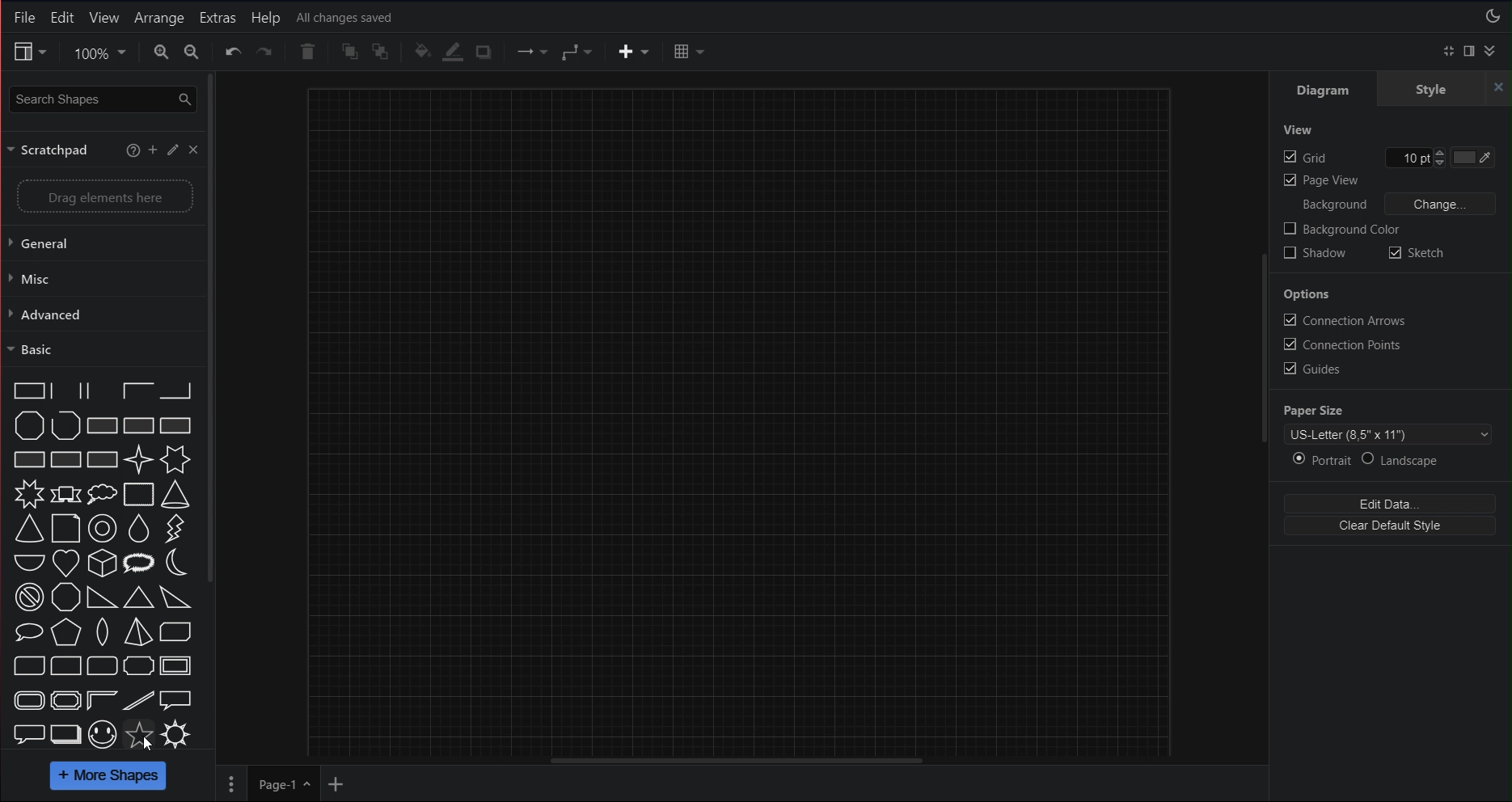 This screenshot has height=802, width=1512. What do you see at coordinates (1326, 89) in the screenshot?
I see `Diagram` at bounding box center [1326, 89].